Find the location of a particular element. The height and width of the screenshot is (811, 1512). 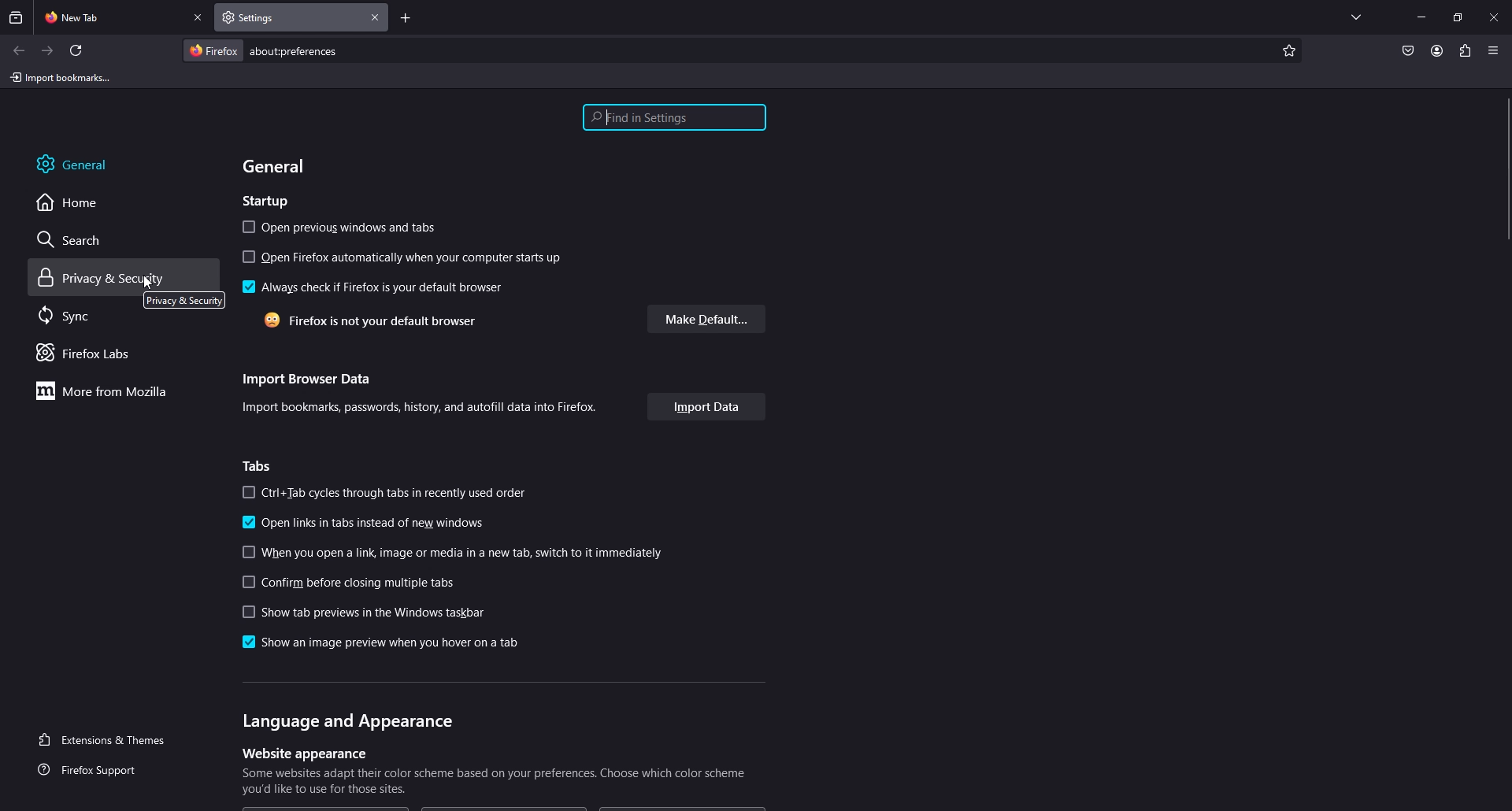

add tab is located at coordinates (406, 20).